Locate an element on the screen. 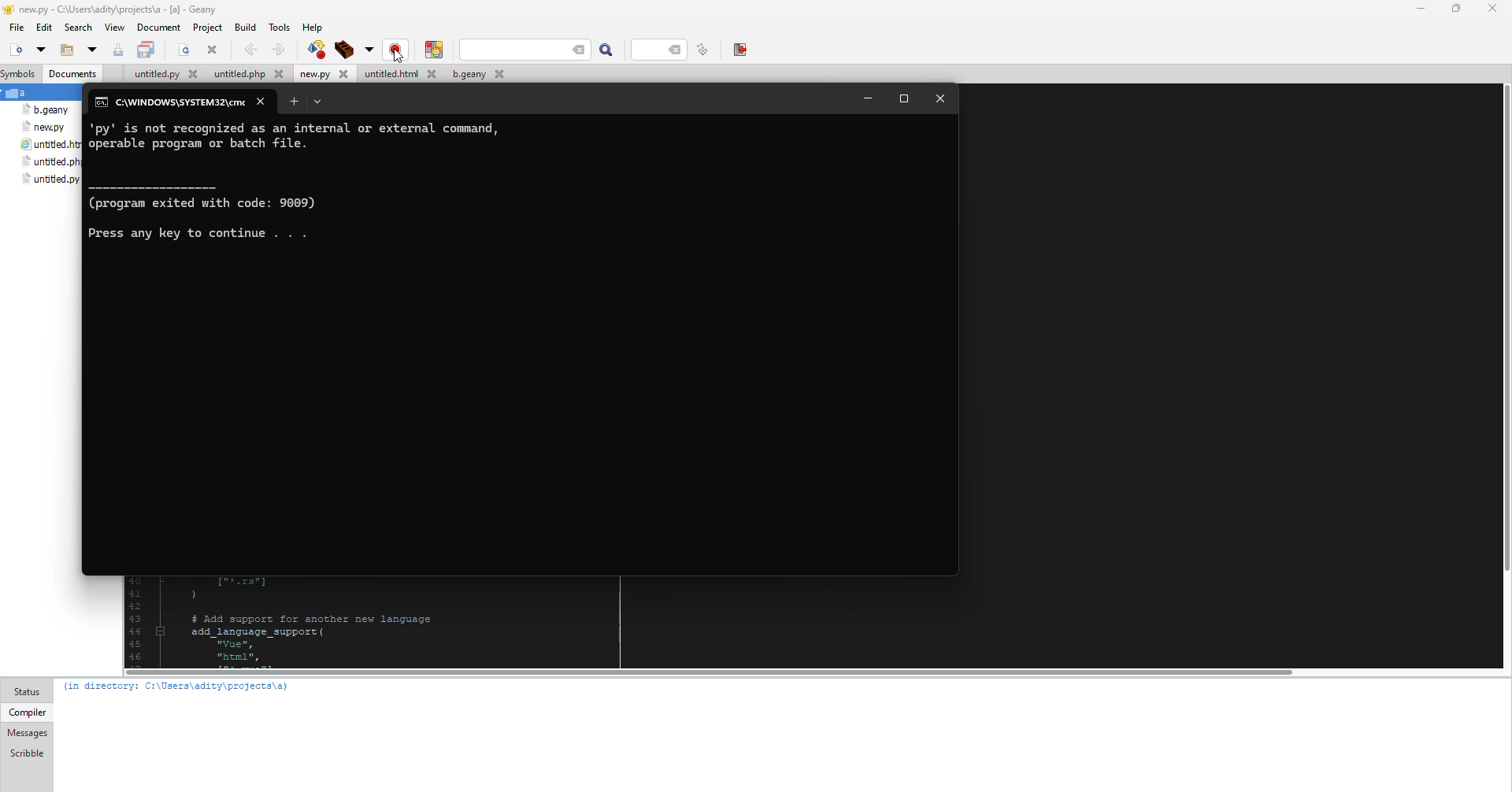 Image resolution: width=1512 pixels, height=792 pixels. close is located at coordinates (263, 102).